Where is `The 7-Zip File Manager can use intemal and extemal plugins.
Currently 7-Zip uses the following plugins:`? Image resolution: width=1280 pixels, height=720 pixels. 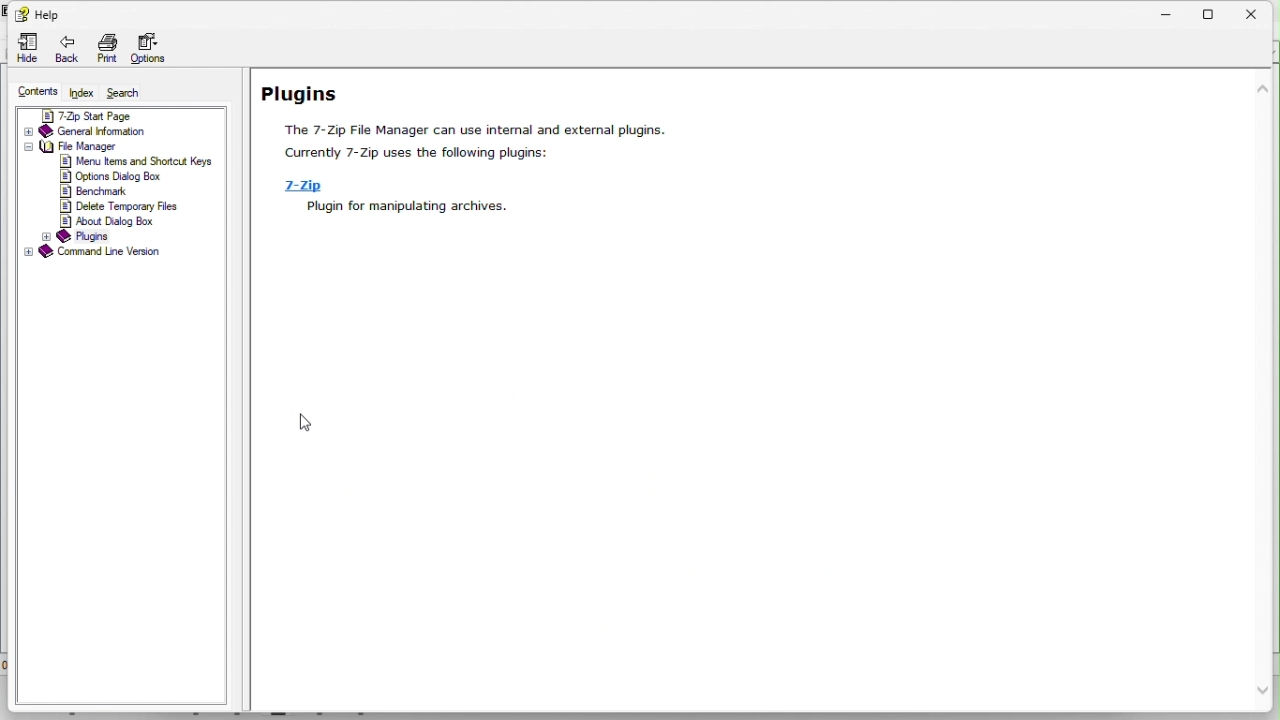 The 7-Zip File Manager can use intemal and extemal plugins.
Currently 7-Zip uses the following plugins: is located at coordinates (476, 142).